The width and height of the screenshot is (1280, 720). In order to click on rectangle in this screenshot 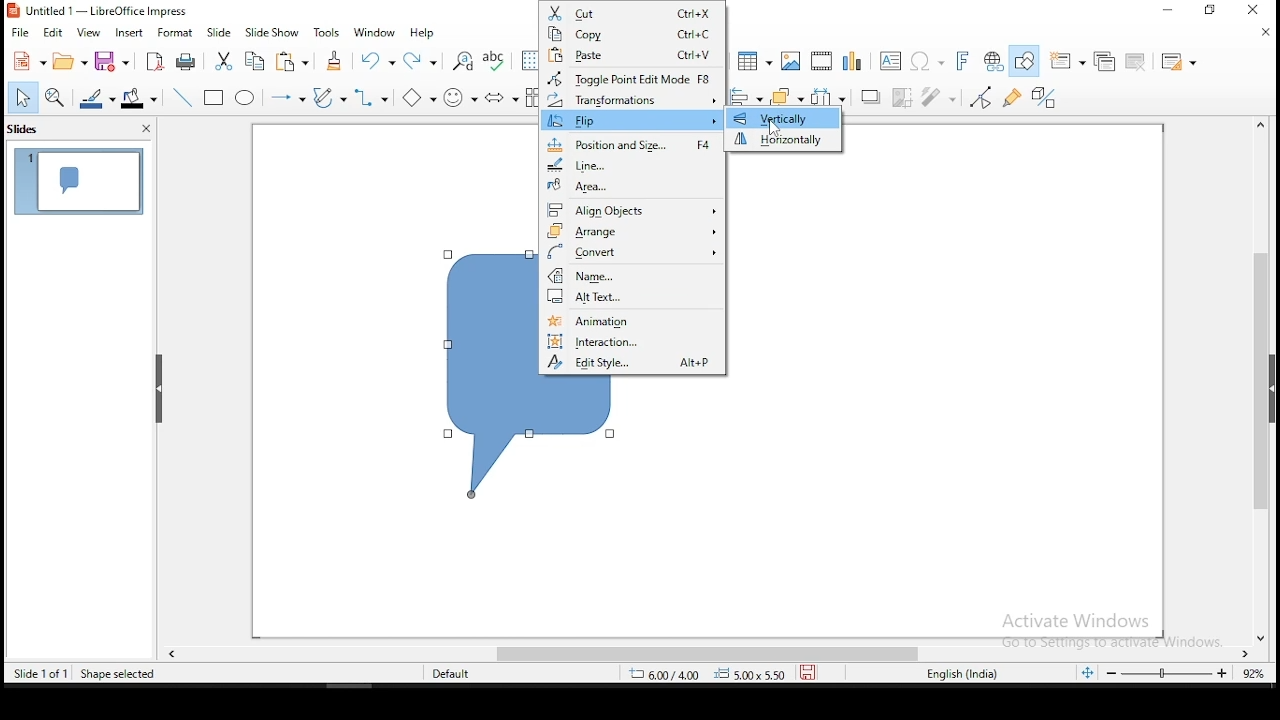, I will do `click(215, 98)`.